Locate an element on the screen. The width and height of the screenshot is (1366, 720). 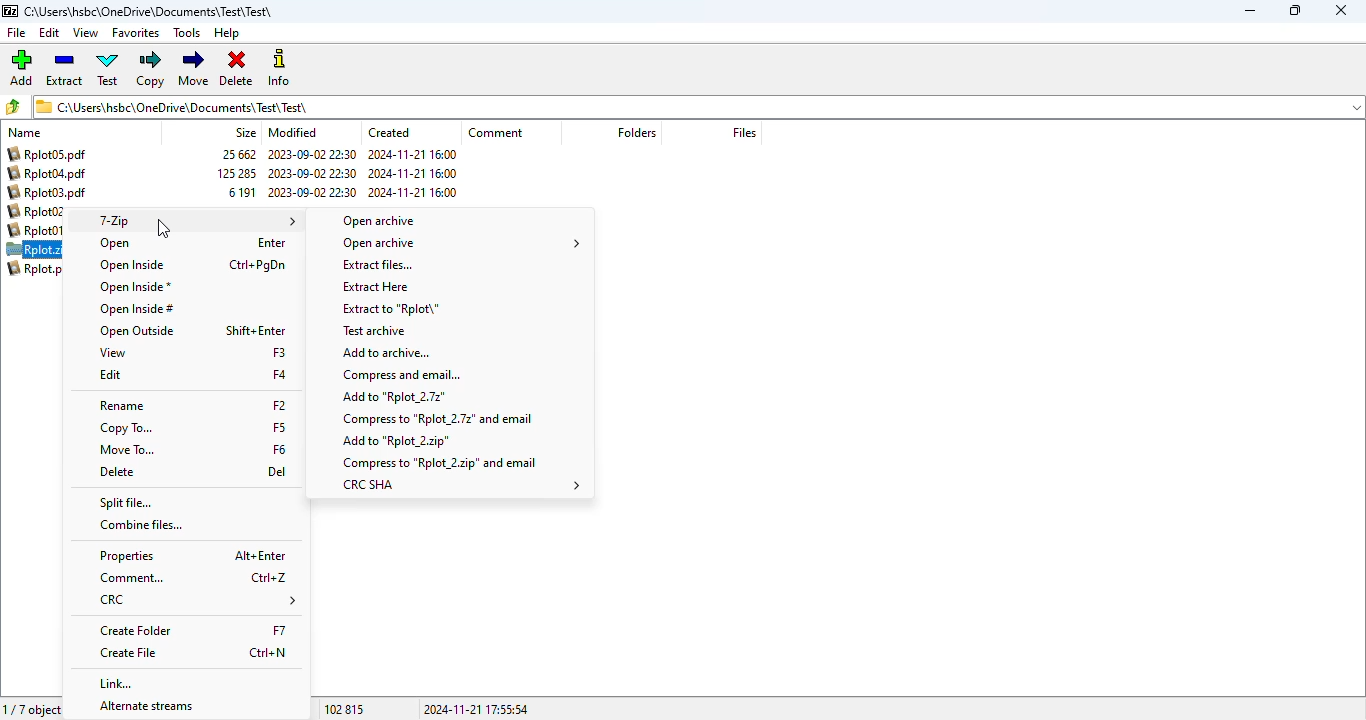
open is located at coordinates (116, 244).